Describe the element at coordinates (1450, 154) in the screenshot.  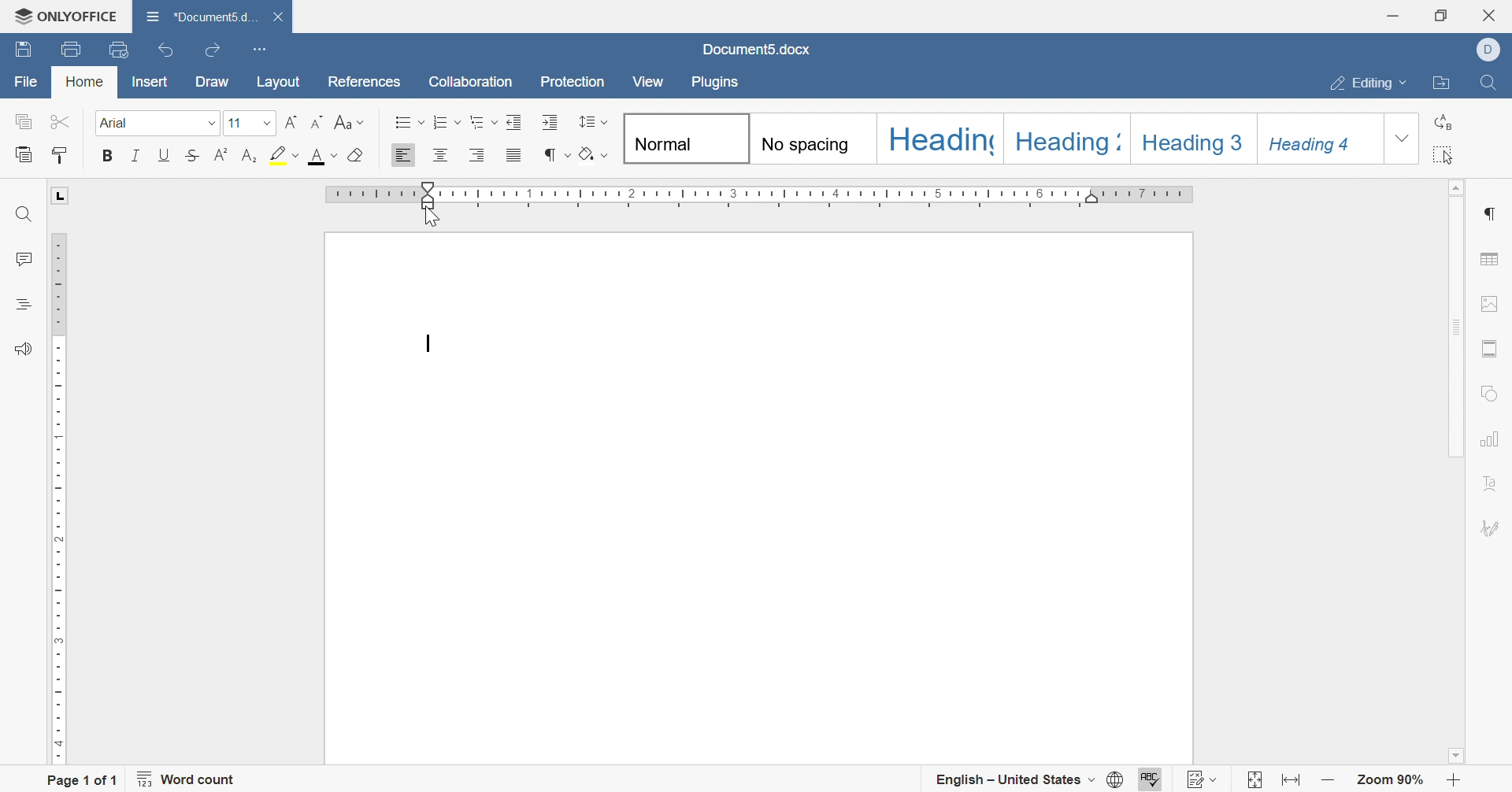
I see `select all` at that location.